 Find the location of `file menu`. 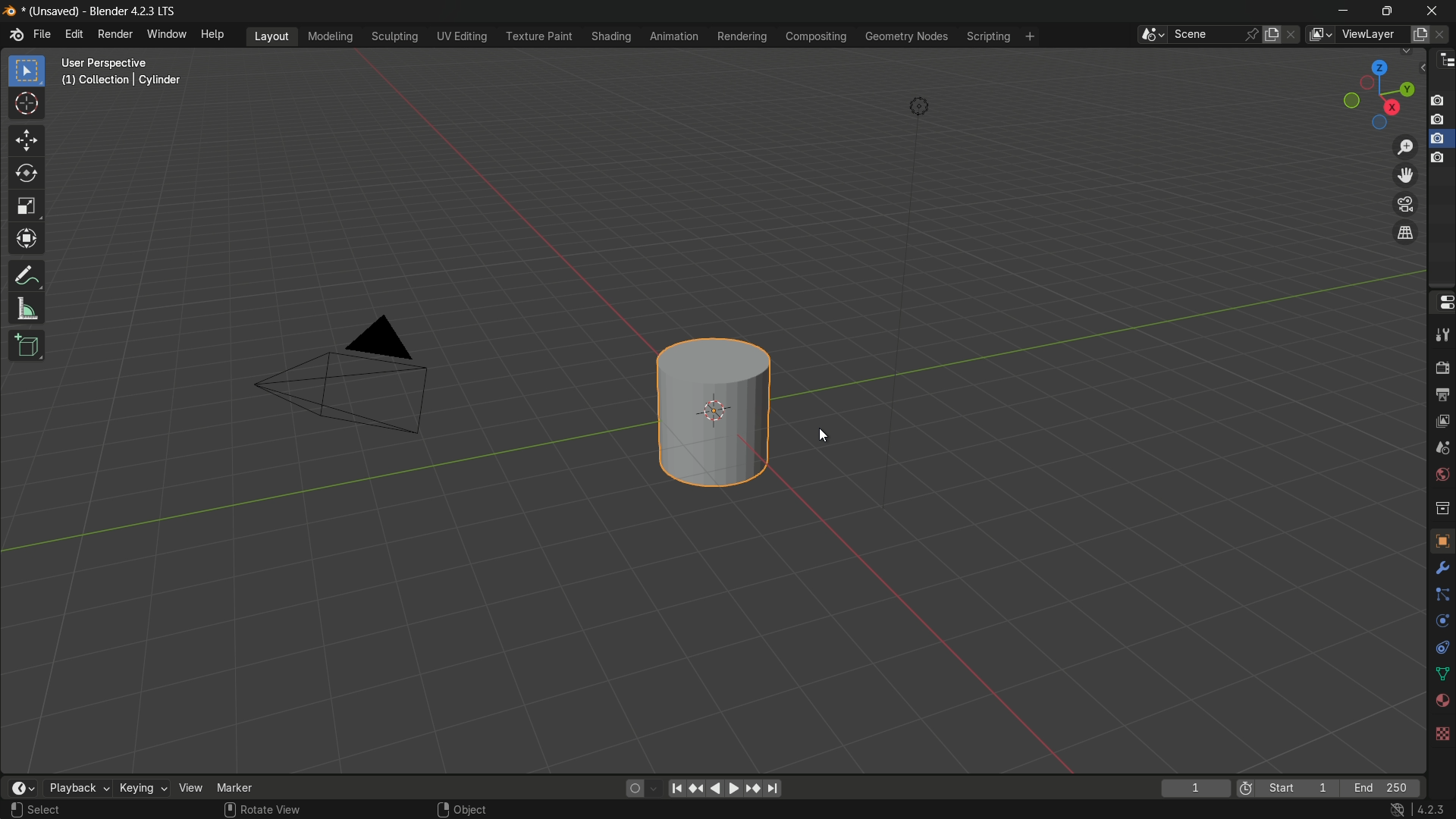

file menu is located at coordinates (42, 35).